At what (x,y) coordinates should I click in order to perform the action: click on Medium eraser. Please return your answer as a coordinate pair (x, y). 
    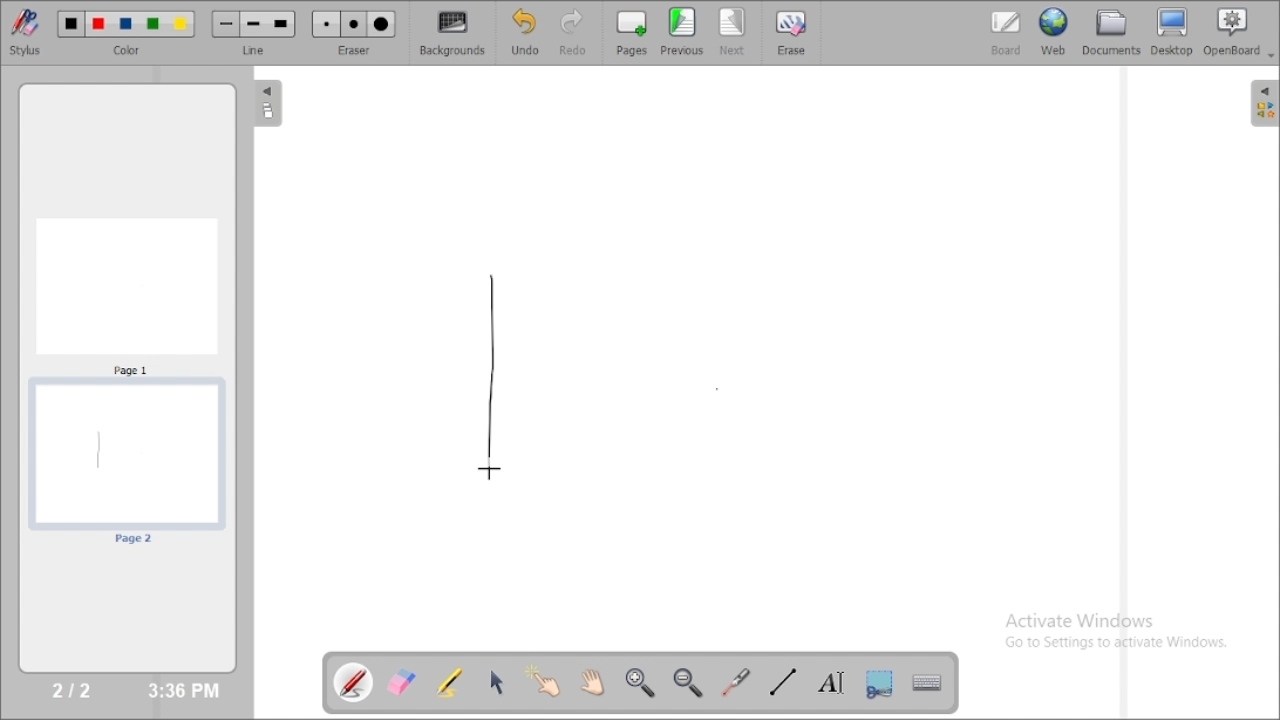
    Looking at the image, I should click on (354, 25).